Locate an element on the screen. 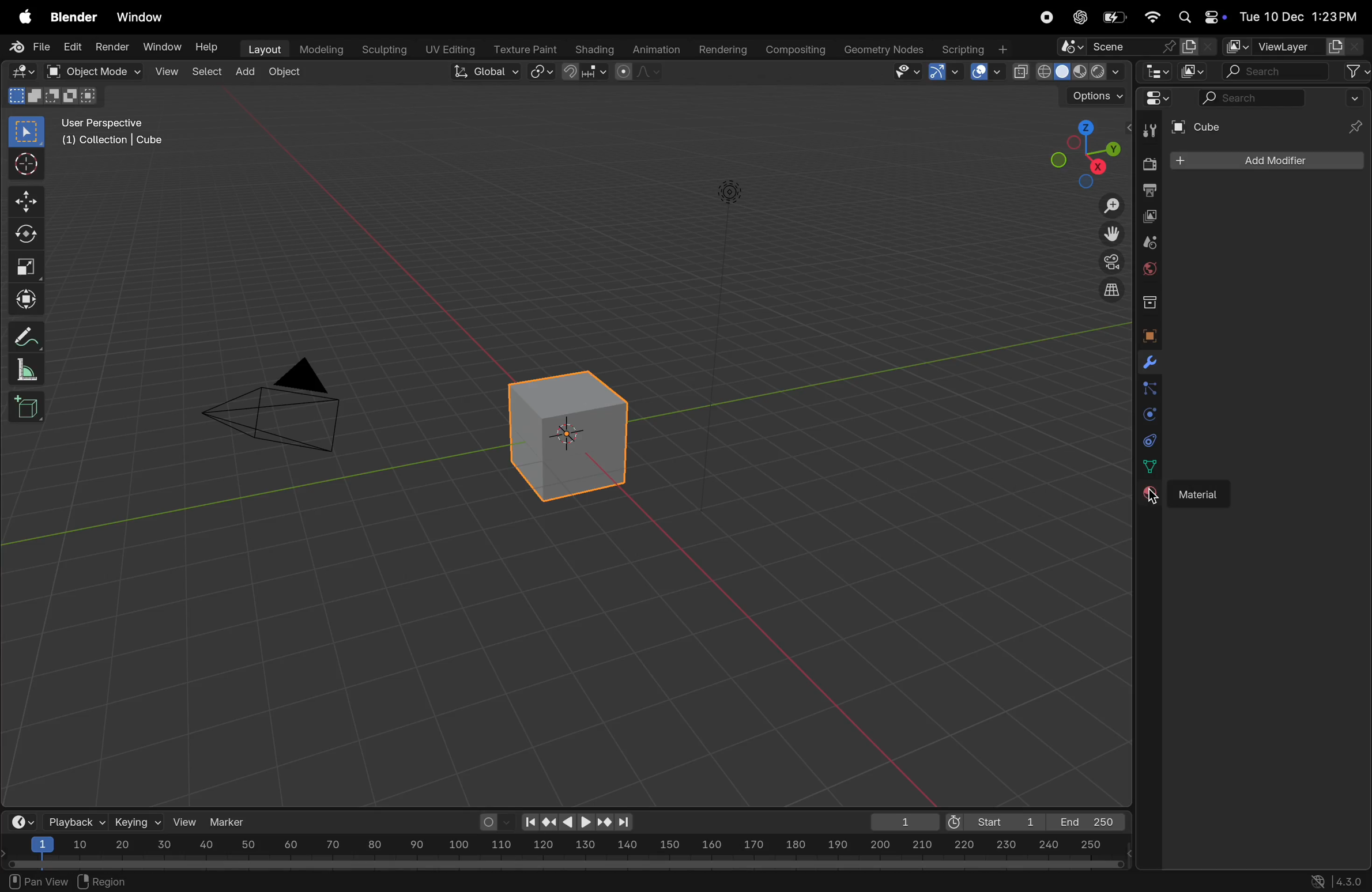 This screenshot has width=1372, height=892. 3D cube is located at coordinates (26, 406).